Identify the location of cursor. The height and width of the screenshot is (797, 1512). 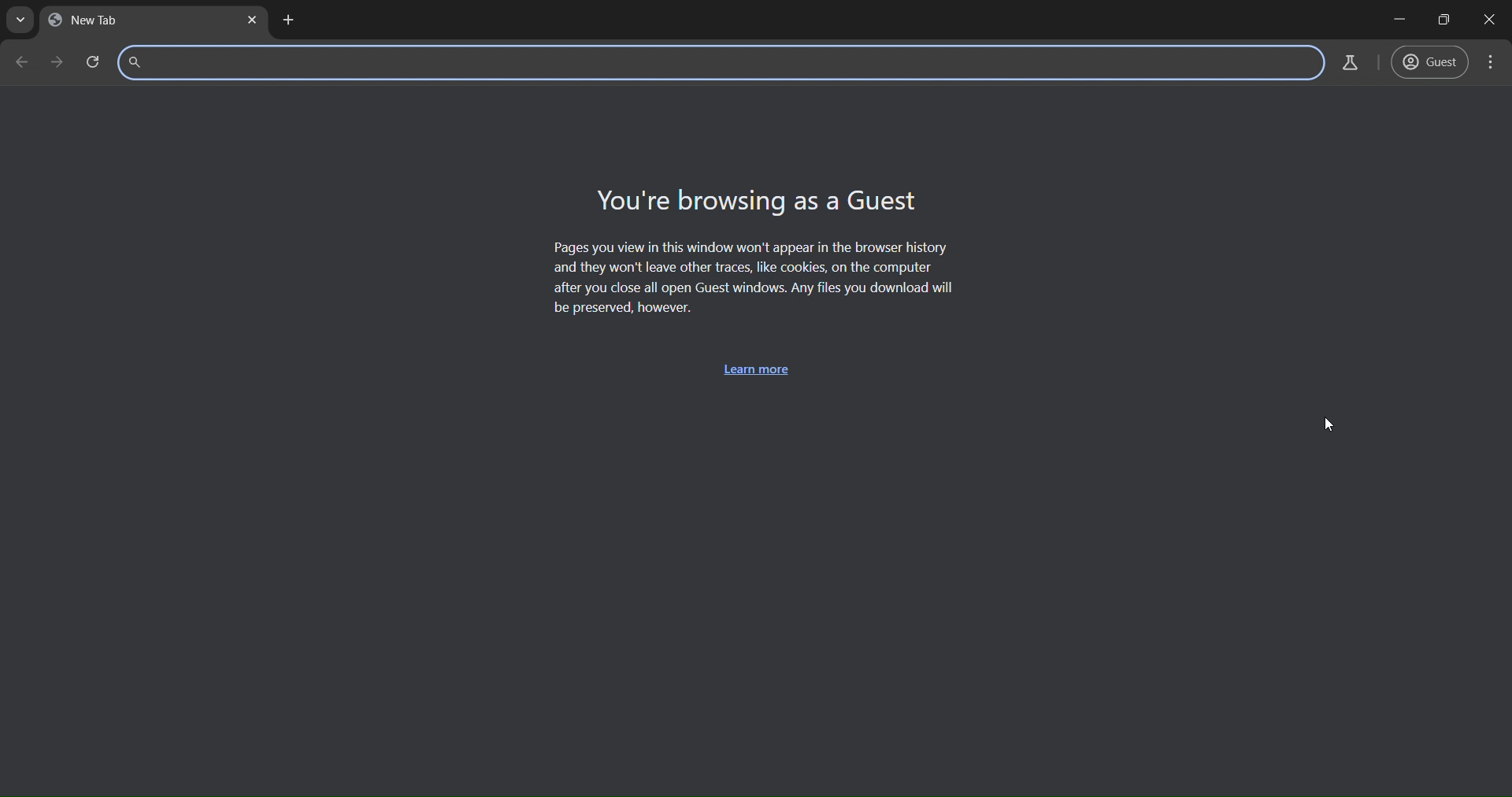
(1331, 421).